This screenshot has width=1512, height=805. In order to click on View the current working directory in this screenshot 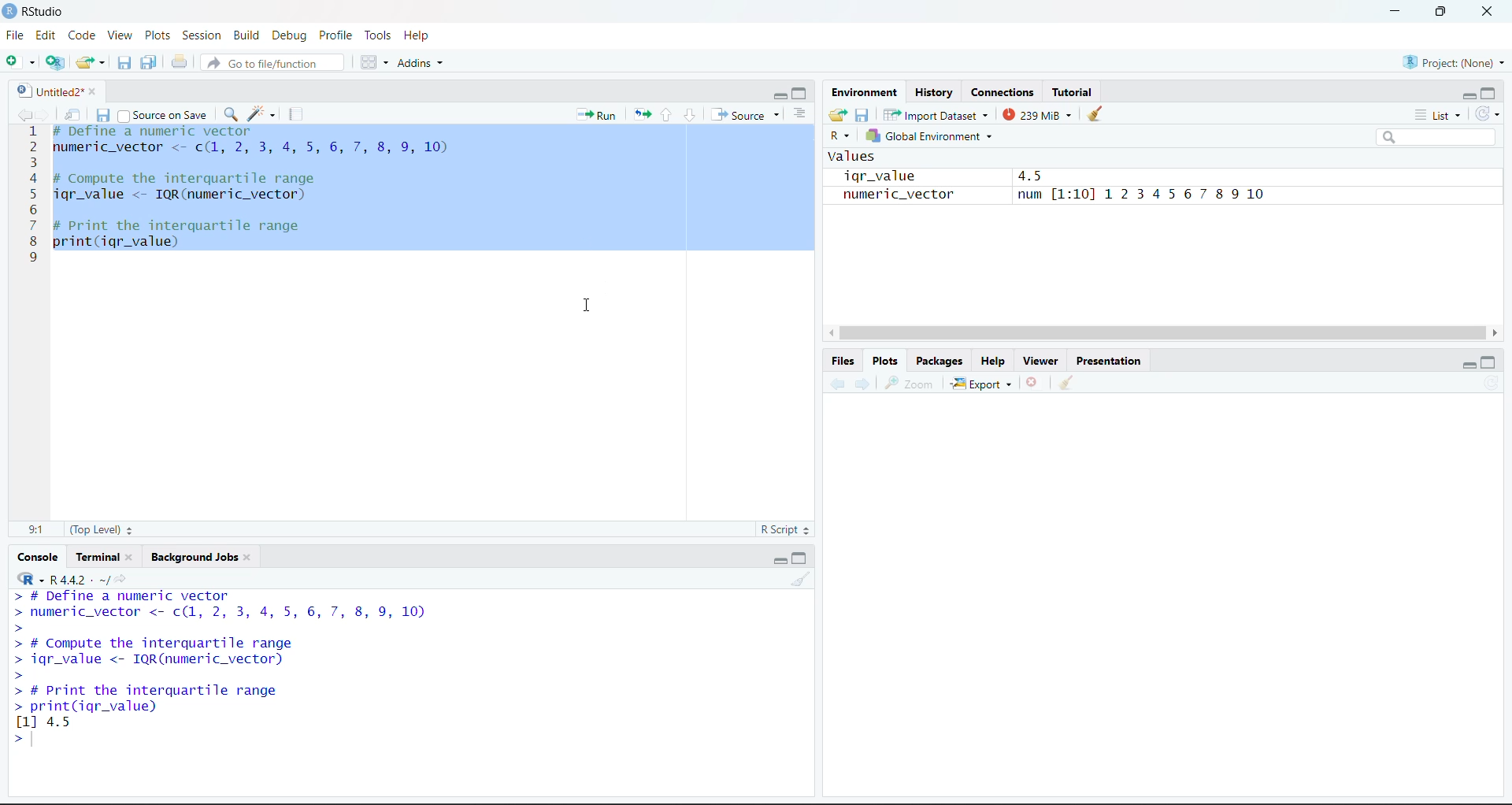, I will do `click(124, 580)`.